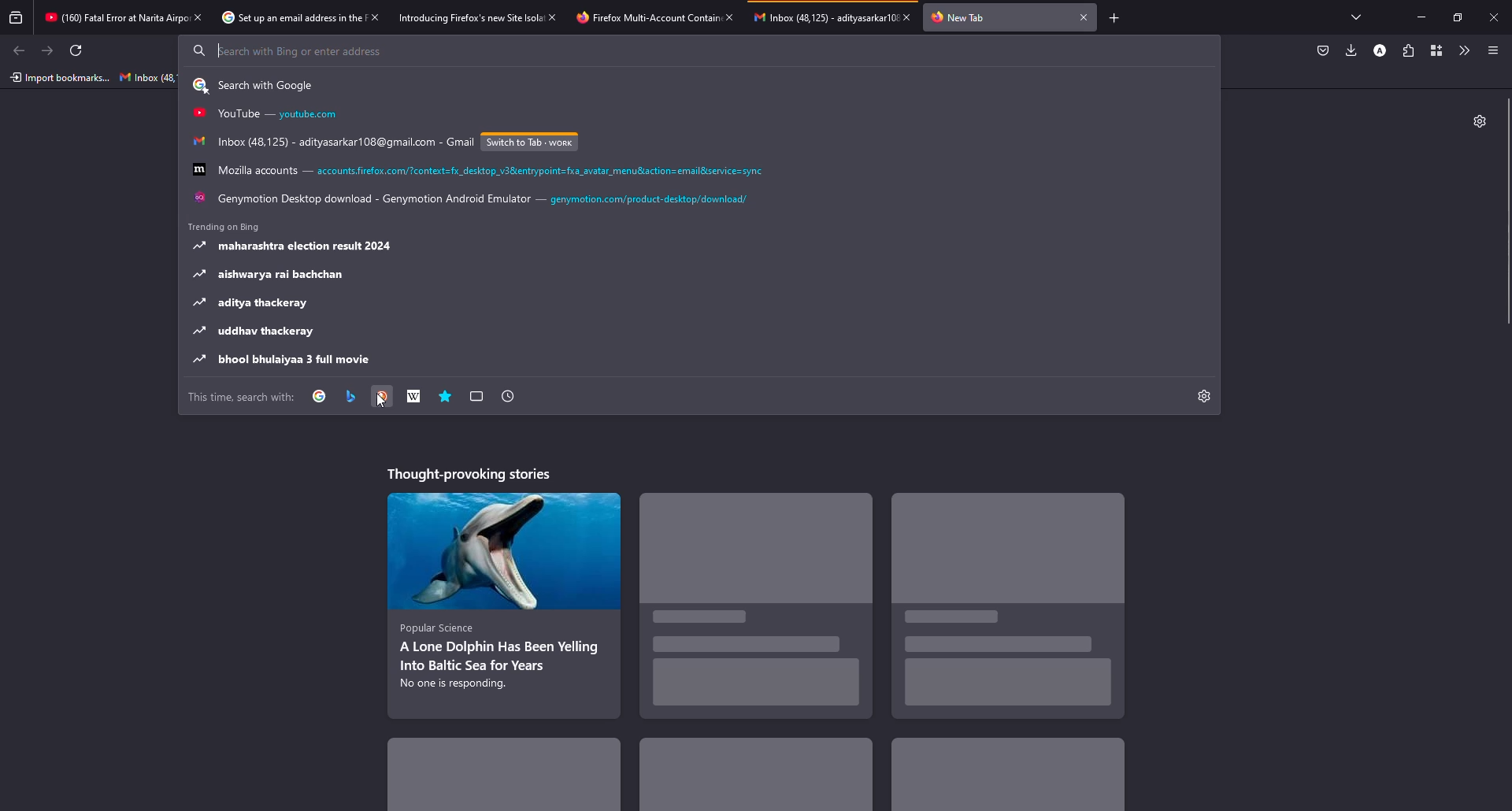  Describe the element at coordinates (17, 17) in the screenshot. I see `view recent` at that location.